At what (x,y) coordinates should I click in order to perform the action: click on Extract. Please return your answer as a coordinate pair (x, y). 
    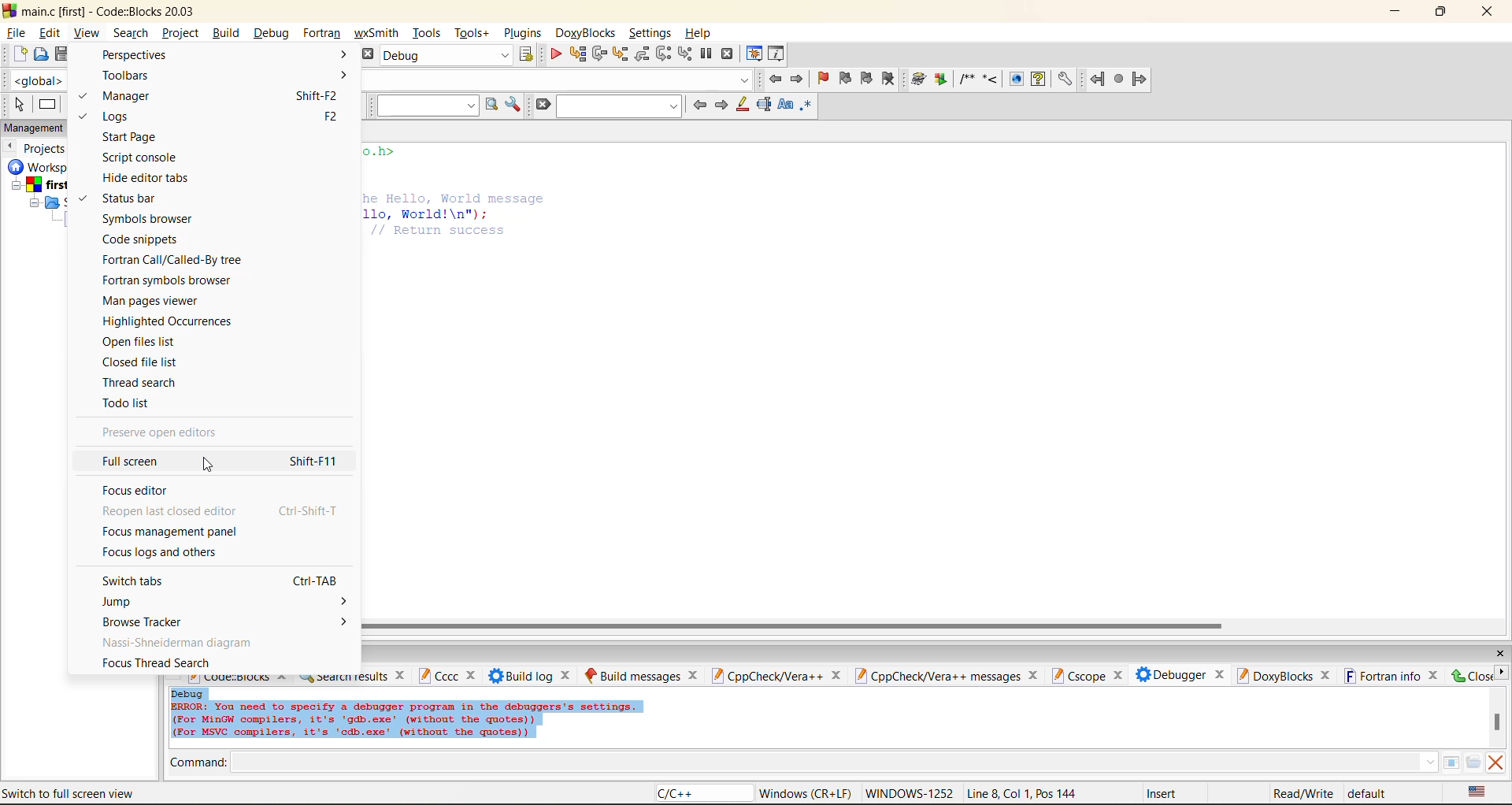
    Looking at the image, I should click on (940, 79).